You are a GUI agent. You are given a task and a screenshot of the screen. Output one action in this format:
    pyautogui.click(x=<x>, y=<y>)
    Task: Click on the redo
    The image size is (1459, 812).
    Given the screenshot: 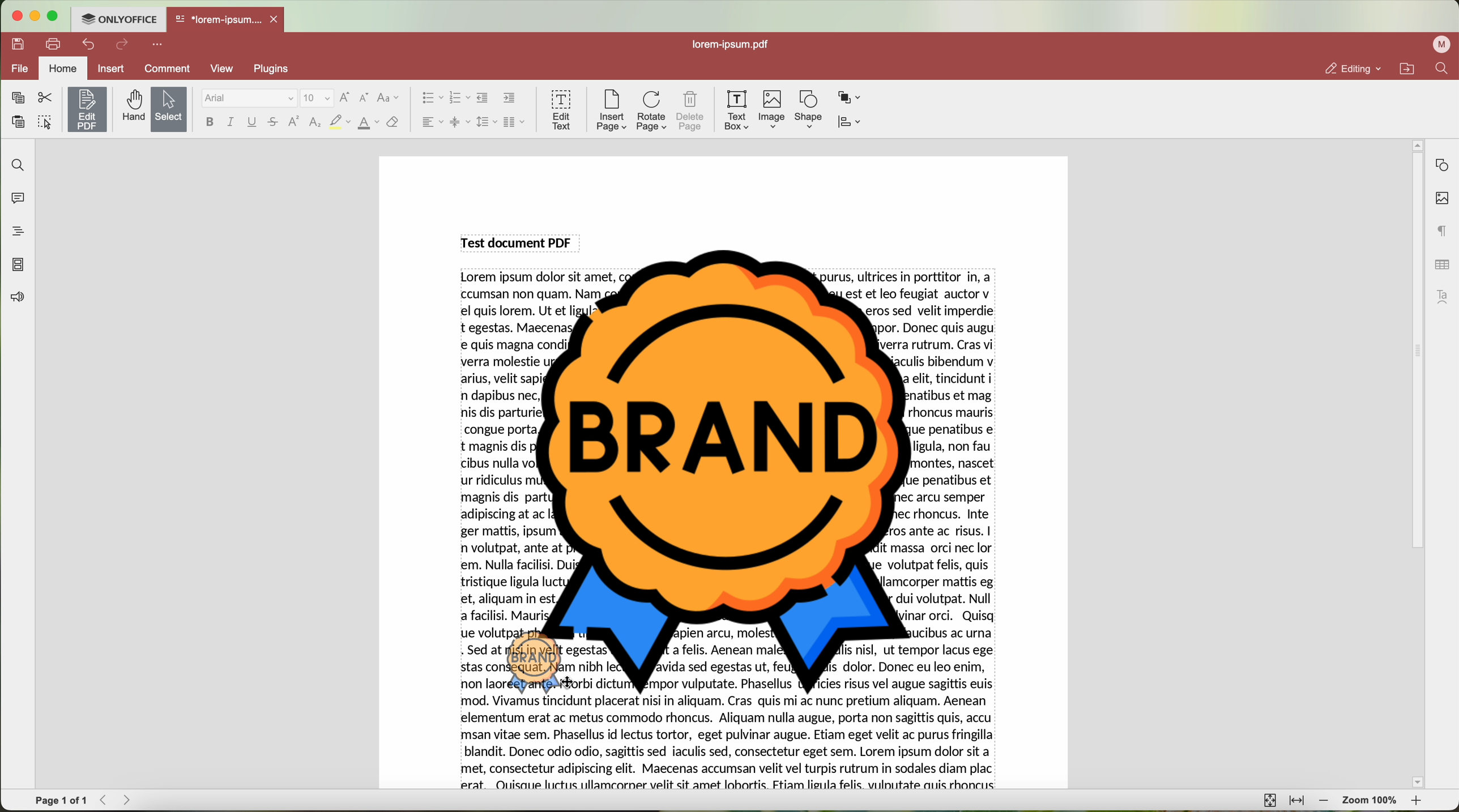 What is the action you would take?
    pyautogui.click(x=122, y=45)
    